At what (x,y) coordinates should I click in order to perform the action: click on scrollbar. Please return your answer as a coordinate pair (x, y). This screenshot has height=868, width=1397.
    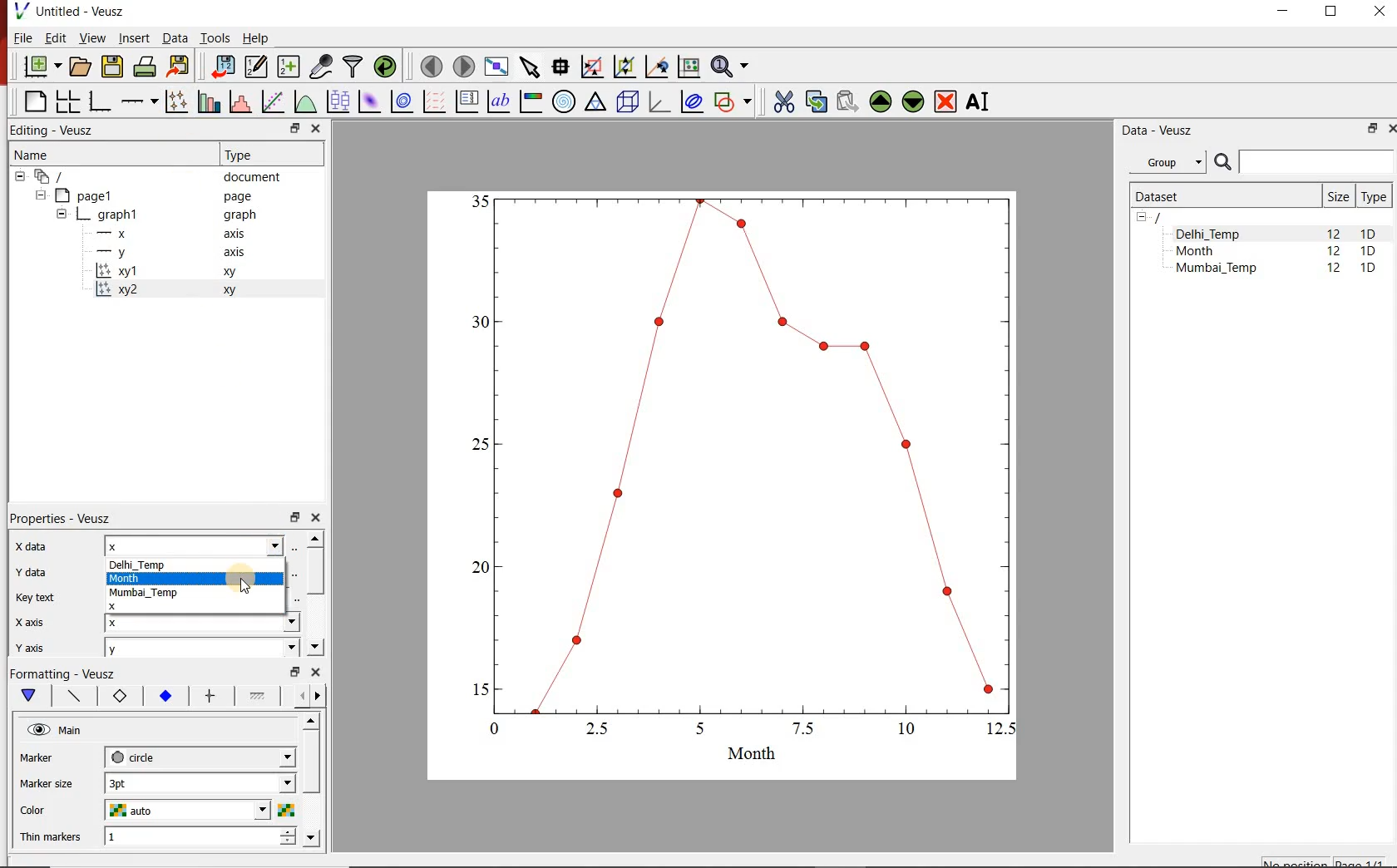
    Looking at the image, I should click on (314, 594).